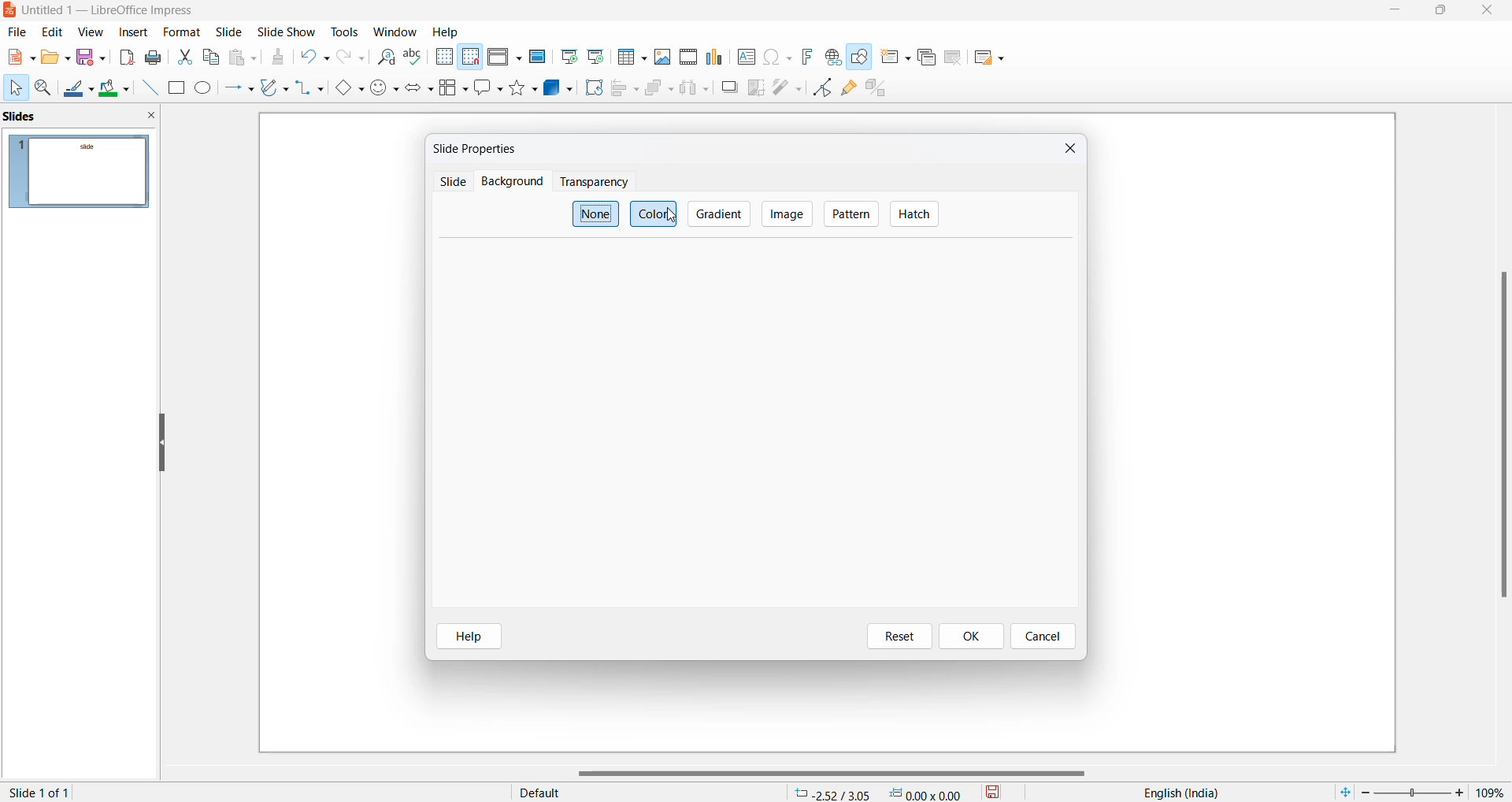 The height and width of the screenshot is (802, 1512). I want to click on start from first slide, so click(568, 57).